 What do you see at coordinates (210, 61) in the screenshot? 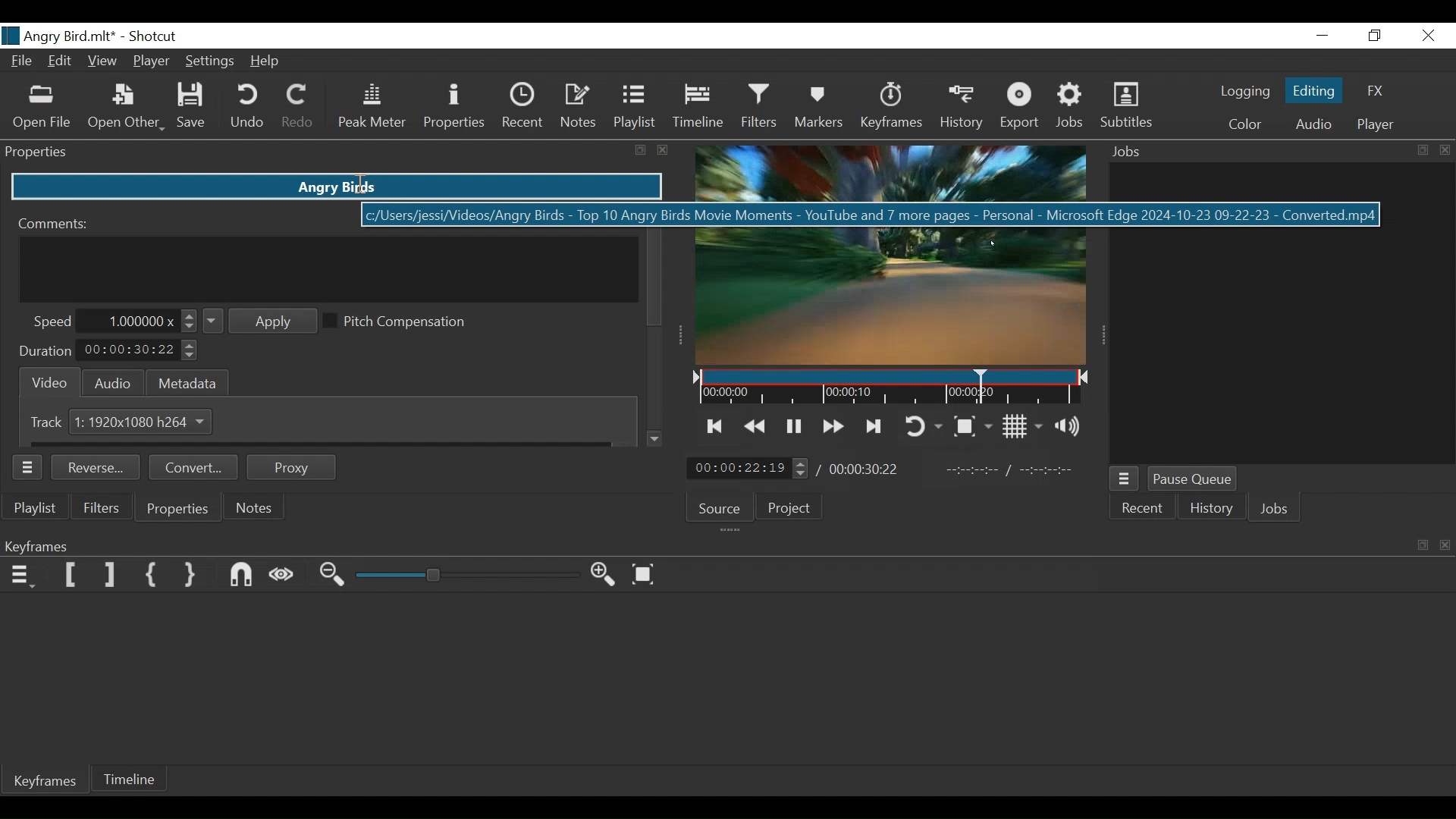
I see `Settings` at bounding box center [210, 61].